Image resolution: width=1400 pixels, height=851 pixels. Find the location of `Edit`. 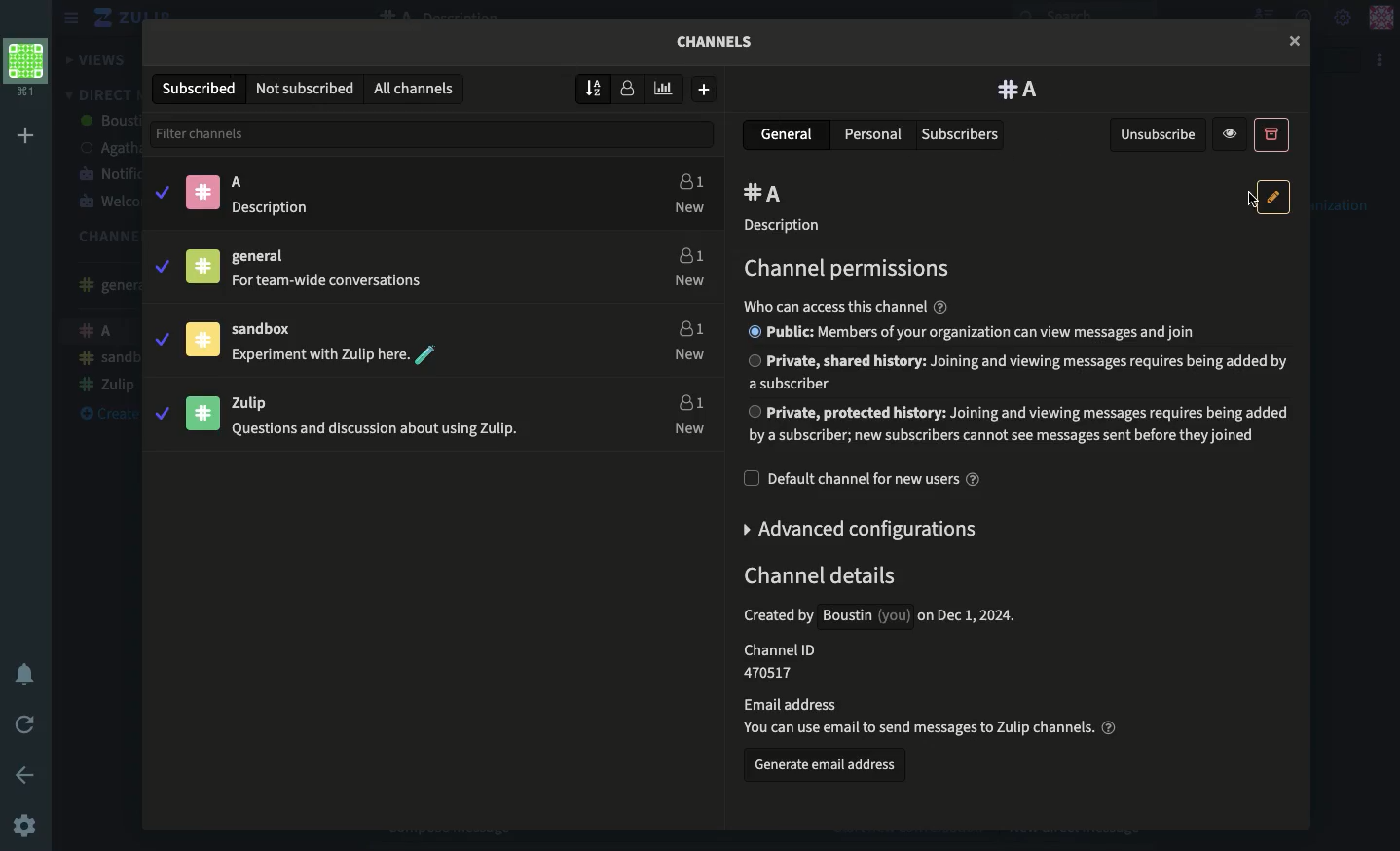

Edit is located at coordinates (1274, 197).